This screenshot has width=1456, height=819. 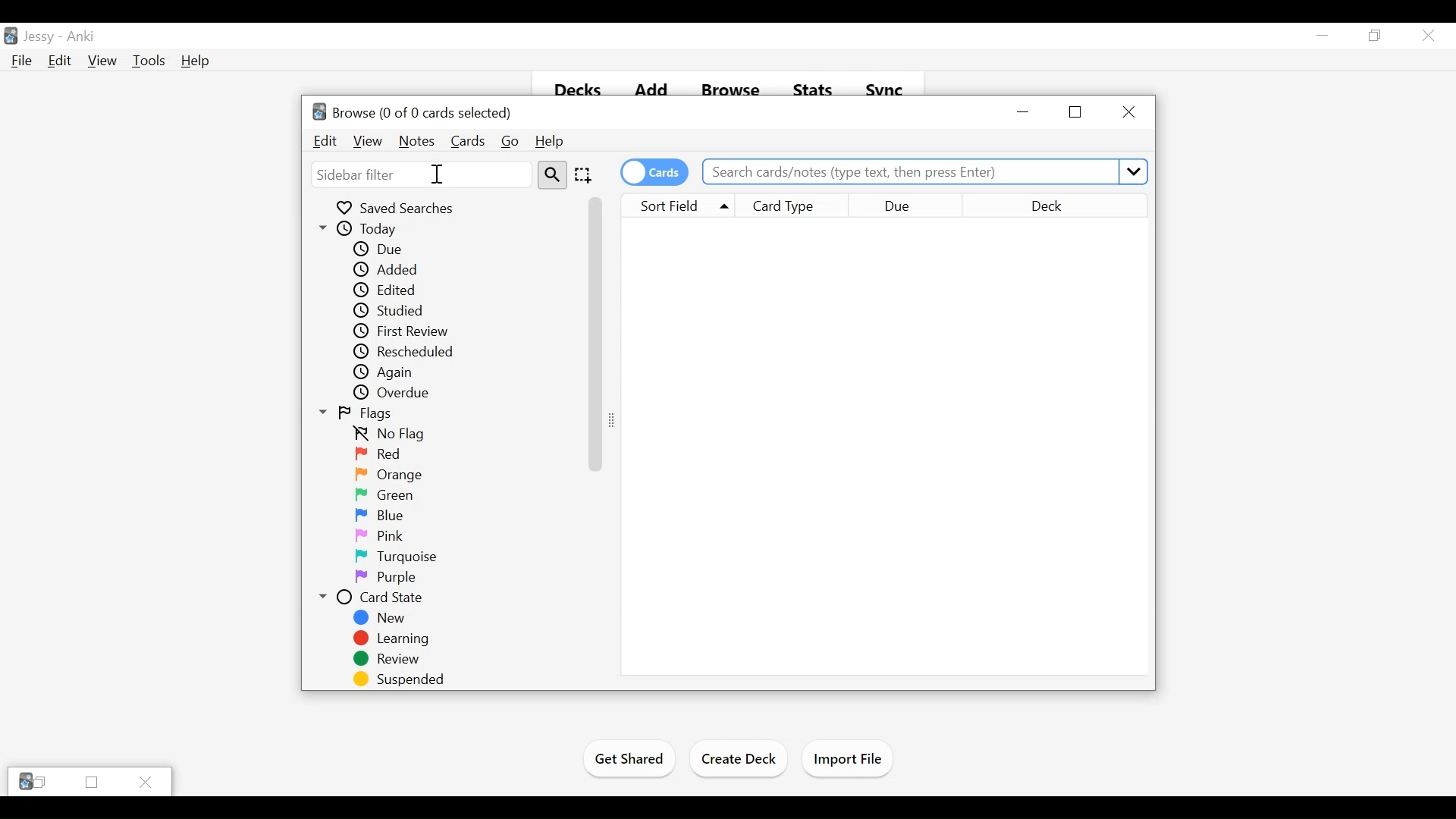 What do you see at coordinates (102, 61) in the screenshot?
I see `View` at bounding box center [102, 61].